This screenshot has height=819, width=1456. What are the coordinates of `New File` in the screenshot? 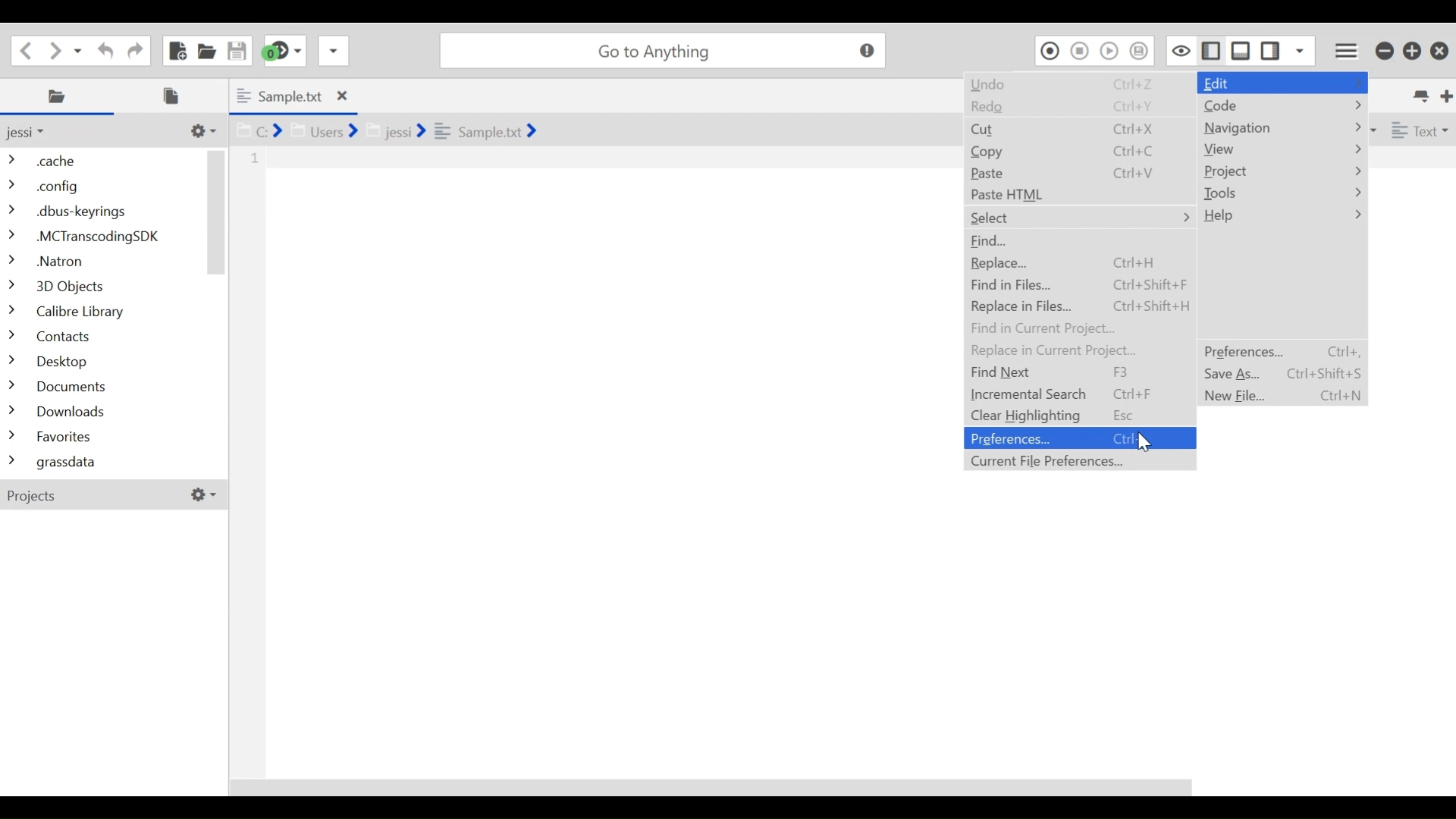 It's located at (1281, 395).